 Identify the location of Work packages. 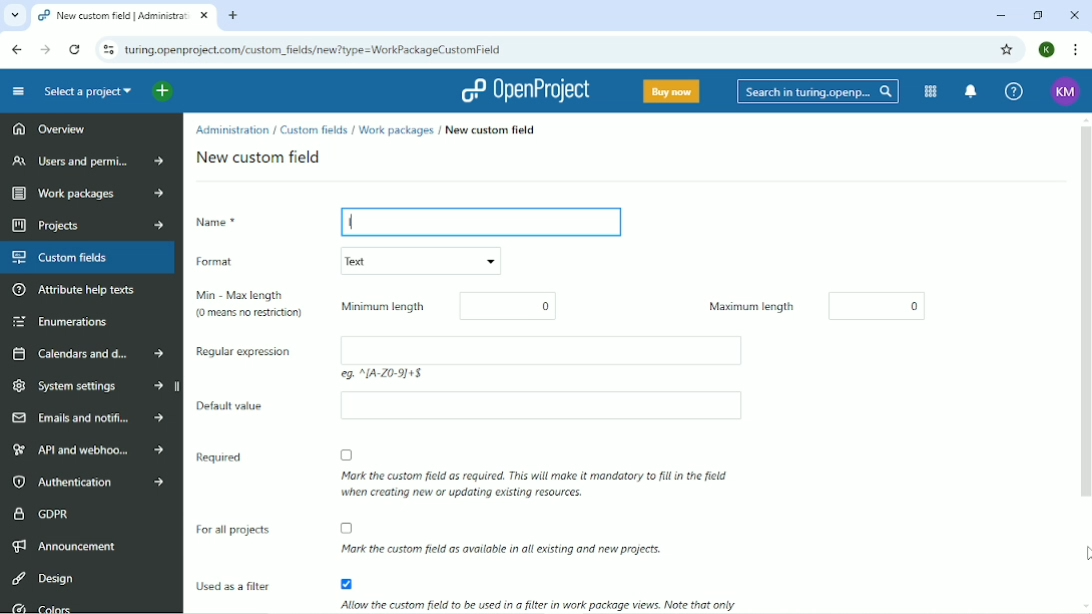
(397, 131).